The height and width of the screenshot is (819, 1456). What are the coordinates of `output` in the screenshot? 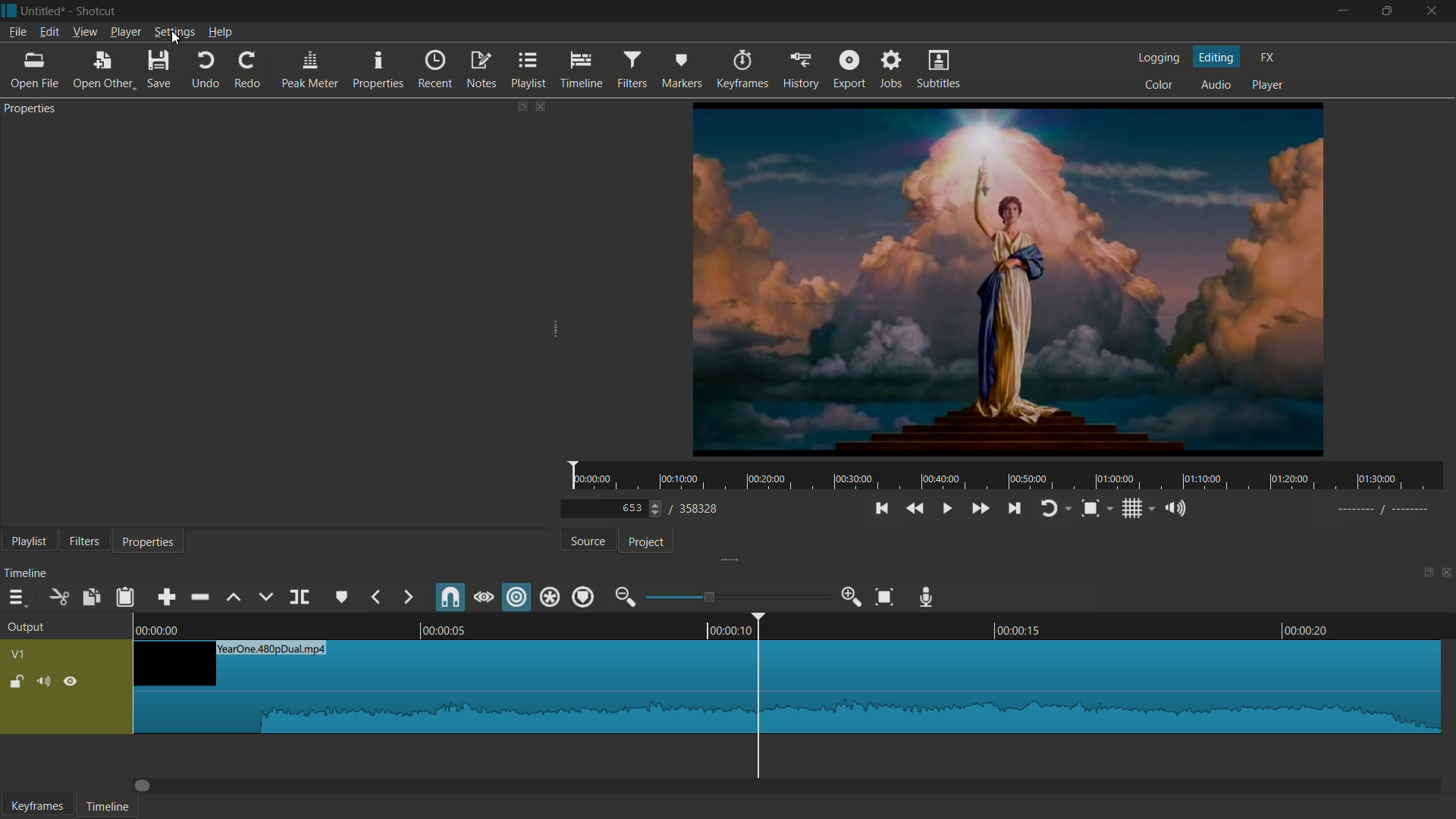 It's located at (27, 628).